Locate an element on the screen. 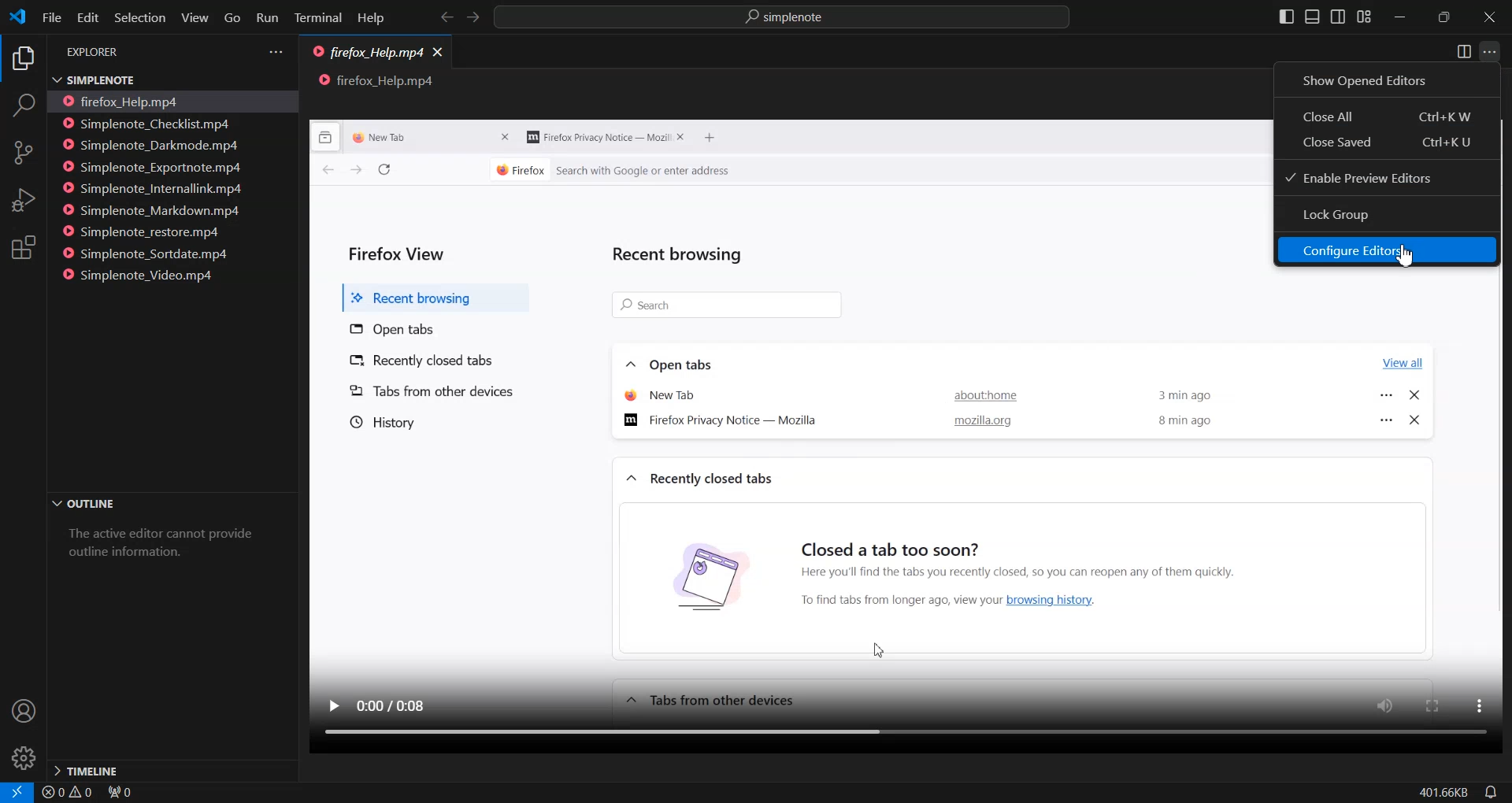 Image resolution: width=1512 pixels, height=803 pixels. pause is located at coordinates (333, 704).